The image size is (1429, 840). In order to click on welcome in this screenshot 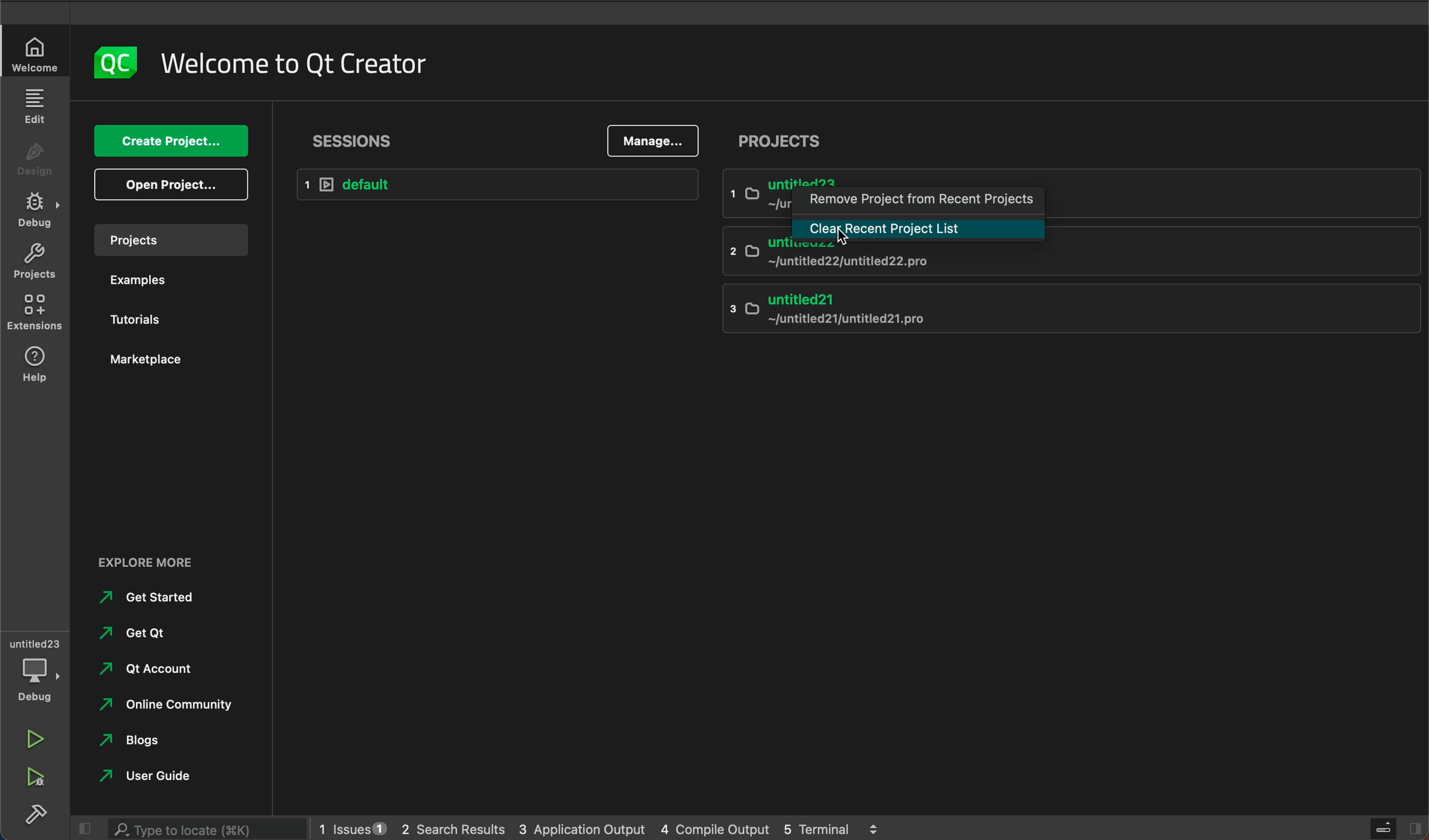, I will do `click(298, 68)`.